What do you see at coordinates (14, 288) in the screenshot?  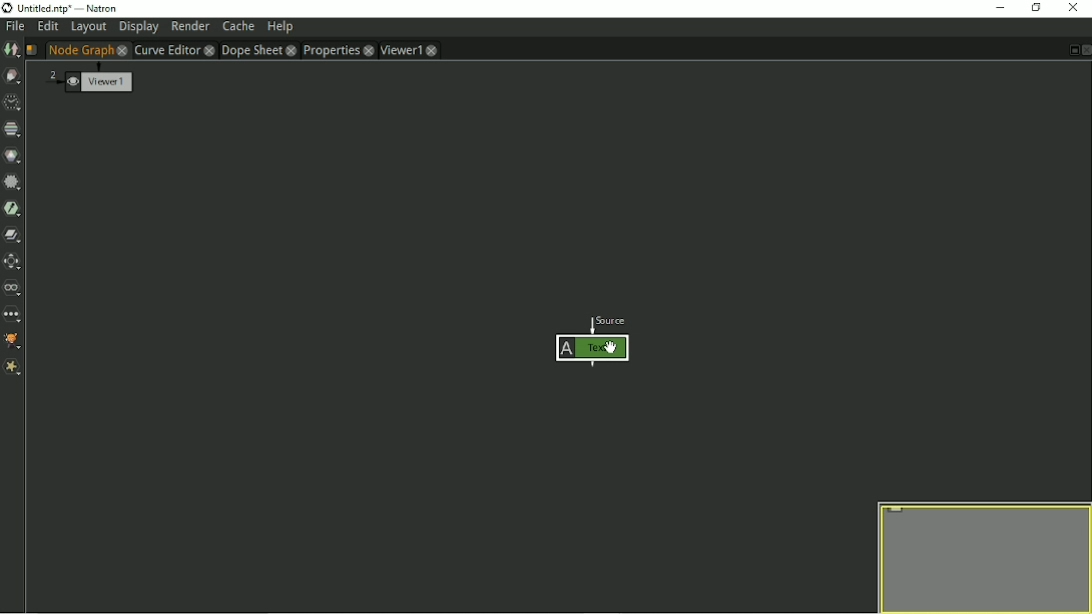 I see `Views` at bounding box center [14, 288].